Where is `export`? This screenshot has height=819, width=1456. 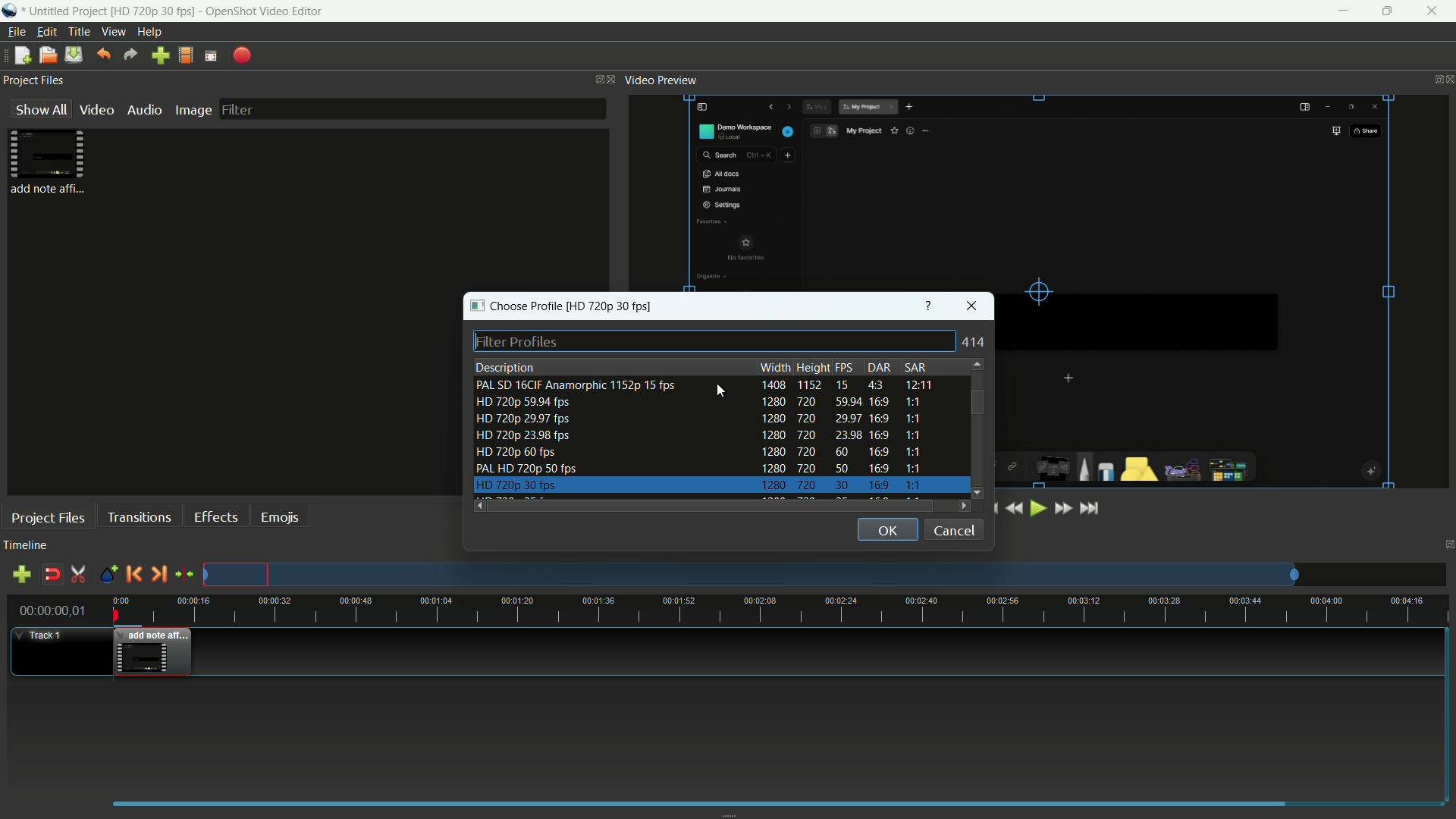 export is located at coordinates (241, 57).